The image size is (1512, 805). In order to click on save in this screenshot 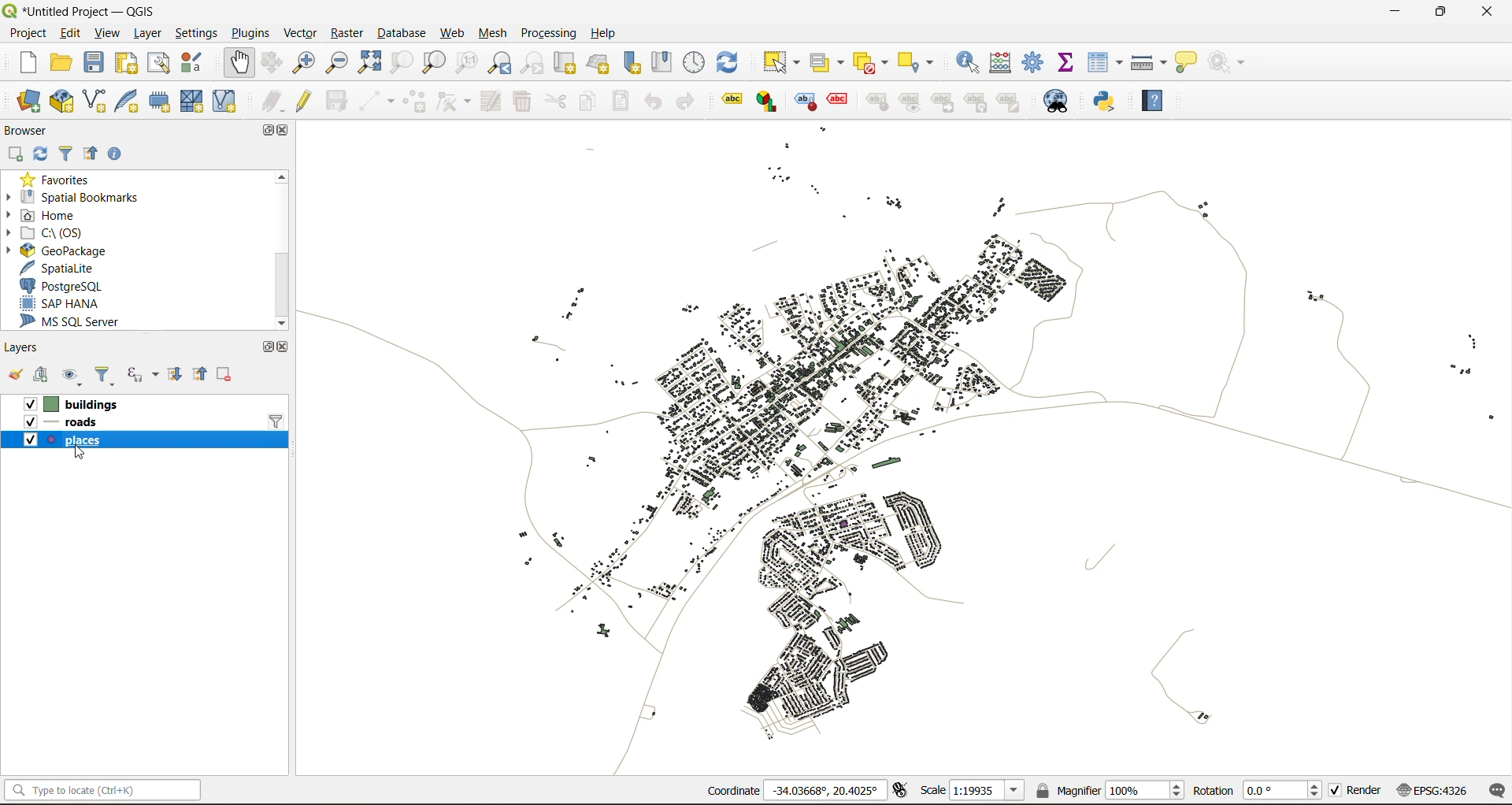, I will do `click(94, 61)`.